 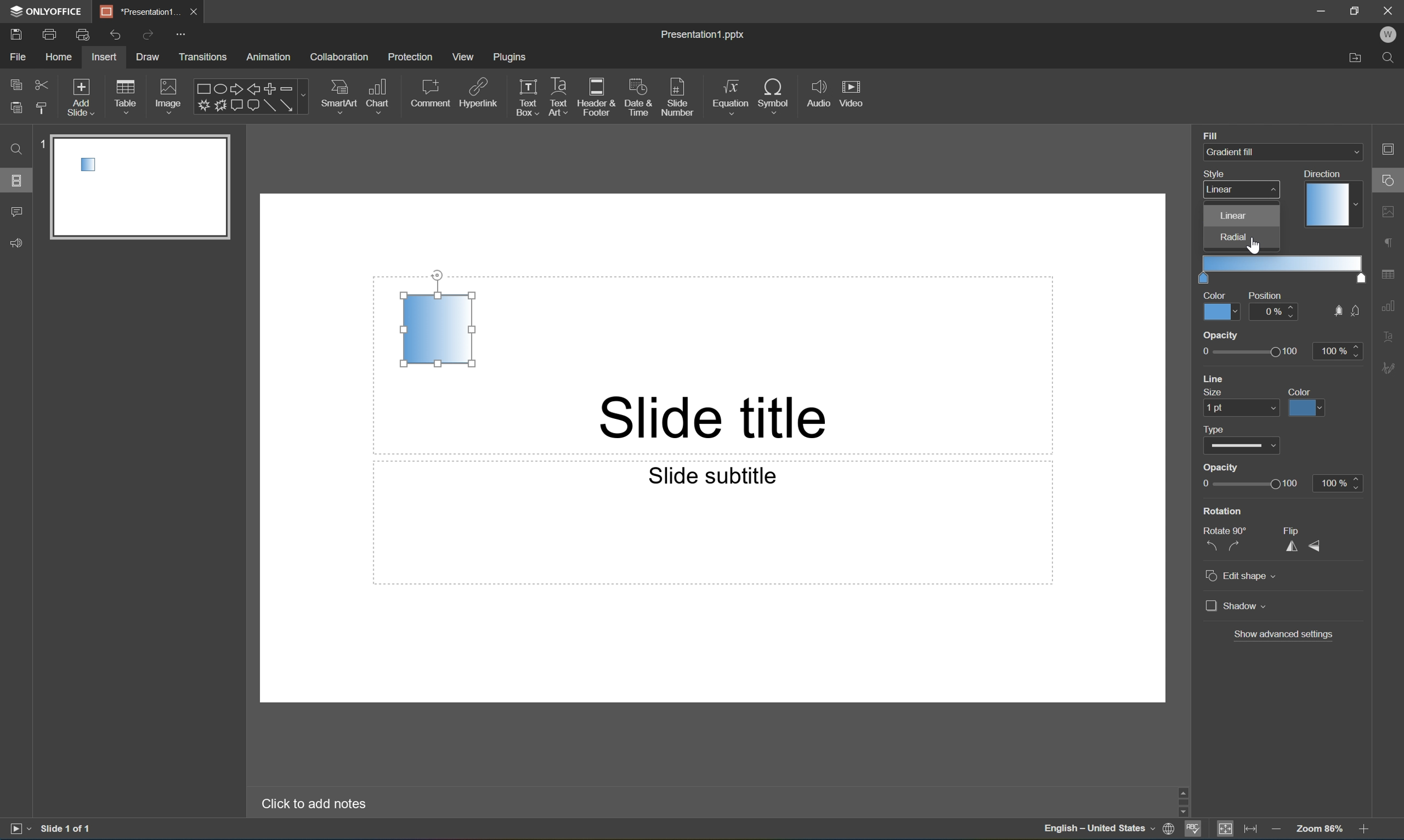 I want to click on Flip, so click(x=1289, y=528).